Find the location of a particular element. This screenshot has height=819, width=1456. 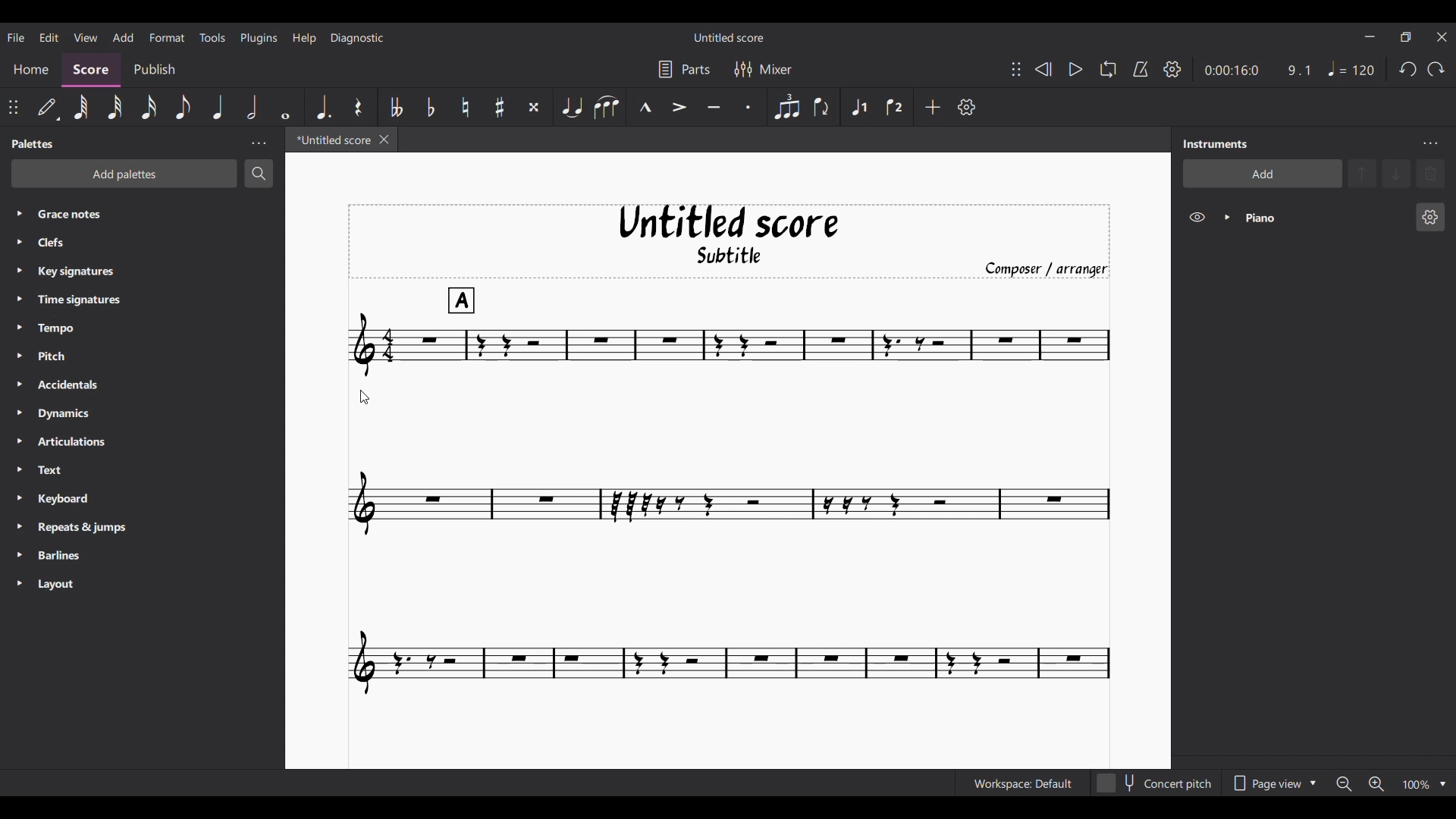

16th note is located at coordinates (149, 106).